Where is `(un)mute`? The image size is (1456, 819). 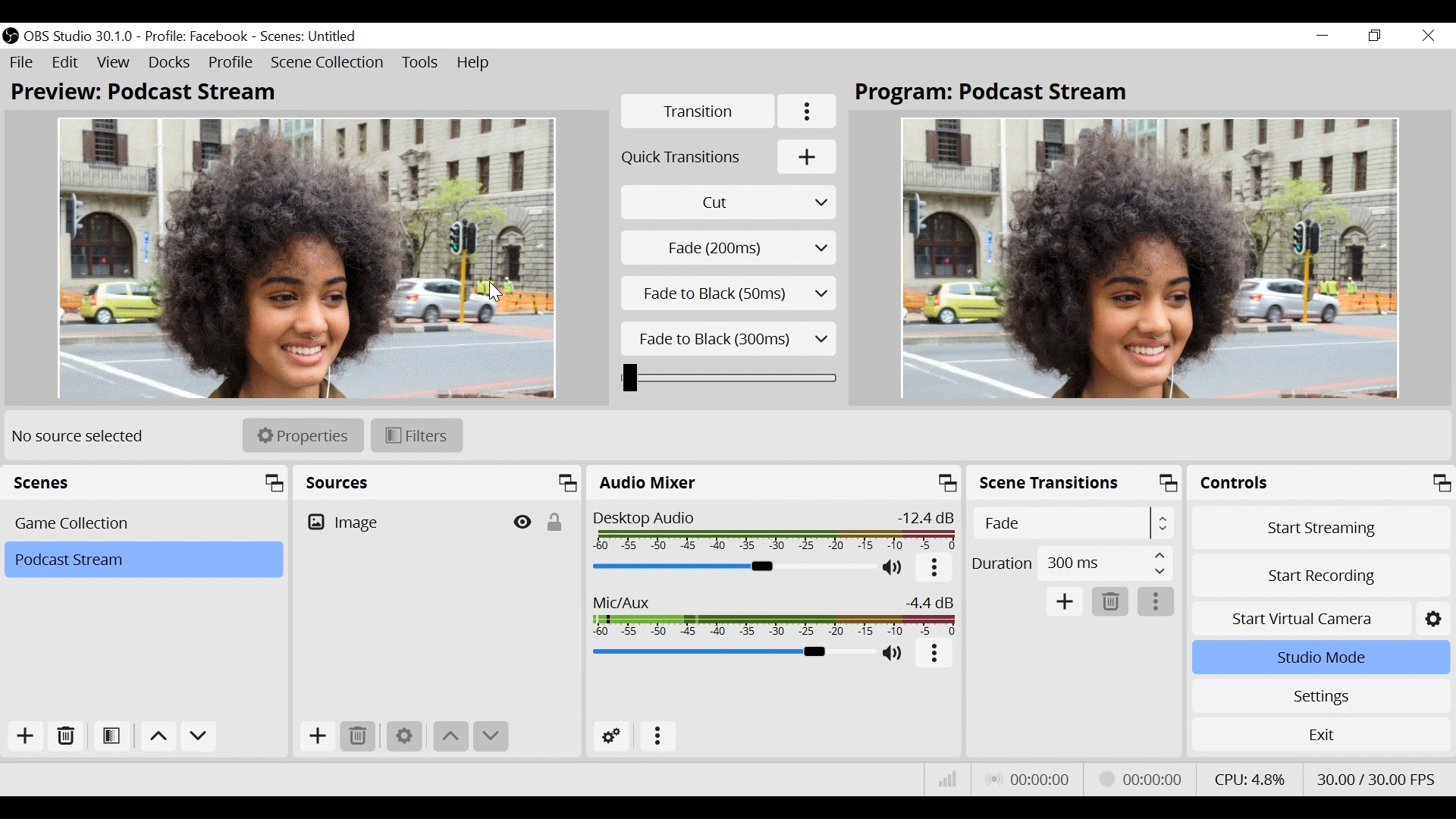
(un)mute is located at coordinates (894, 569).